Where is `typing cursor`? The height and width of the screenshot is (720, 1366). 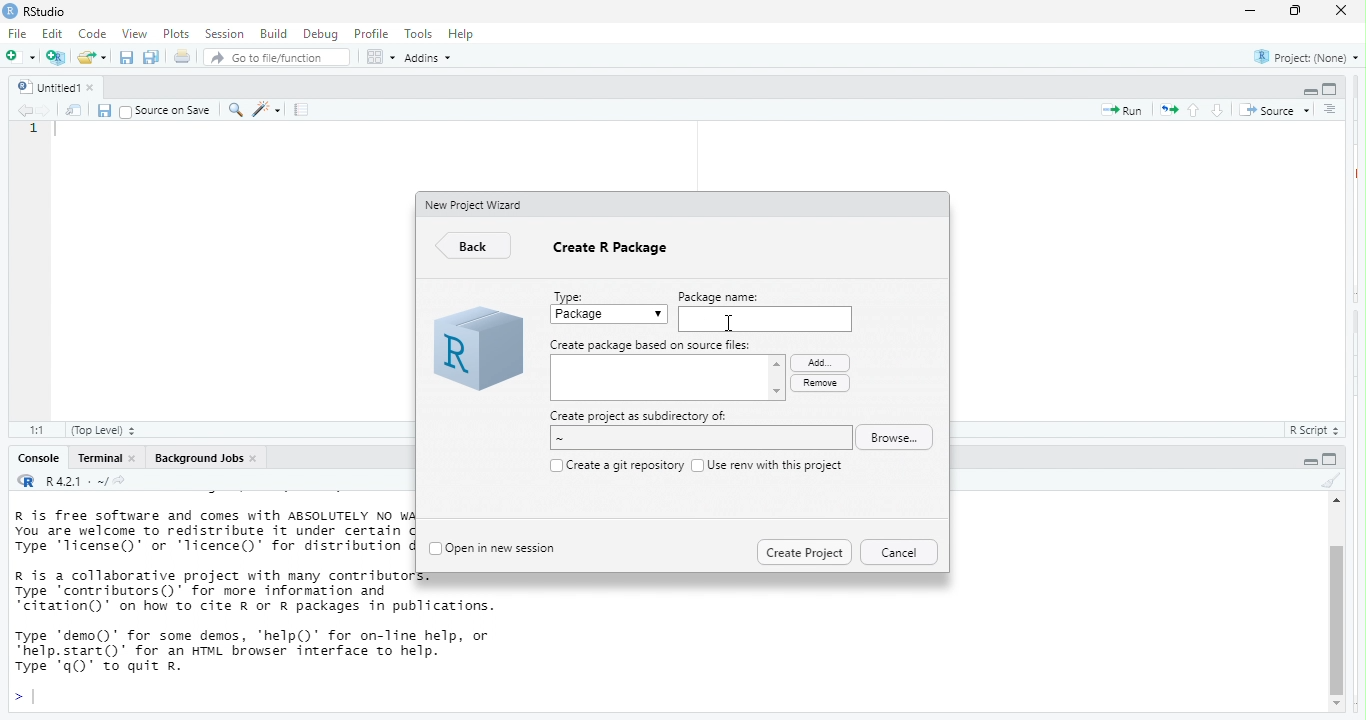
typing cursor is located at coordinates (61, 134).